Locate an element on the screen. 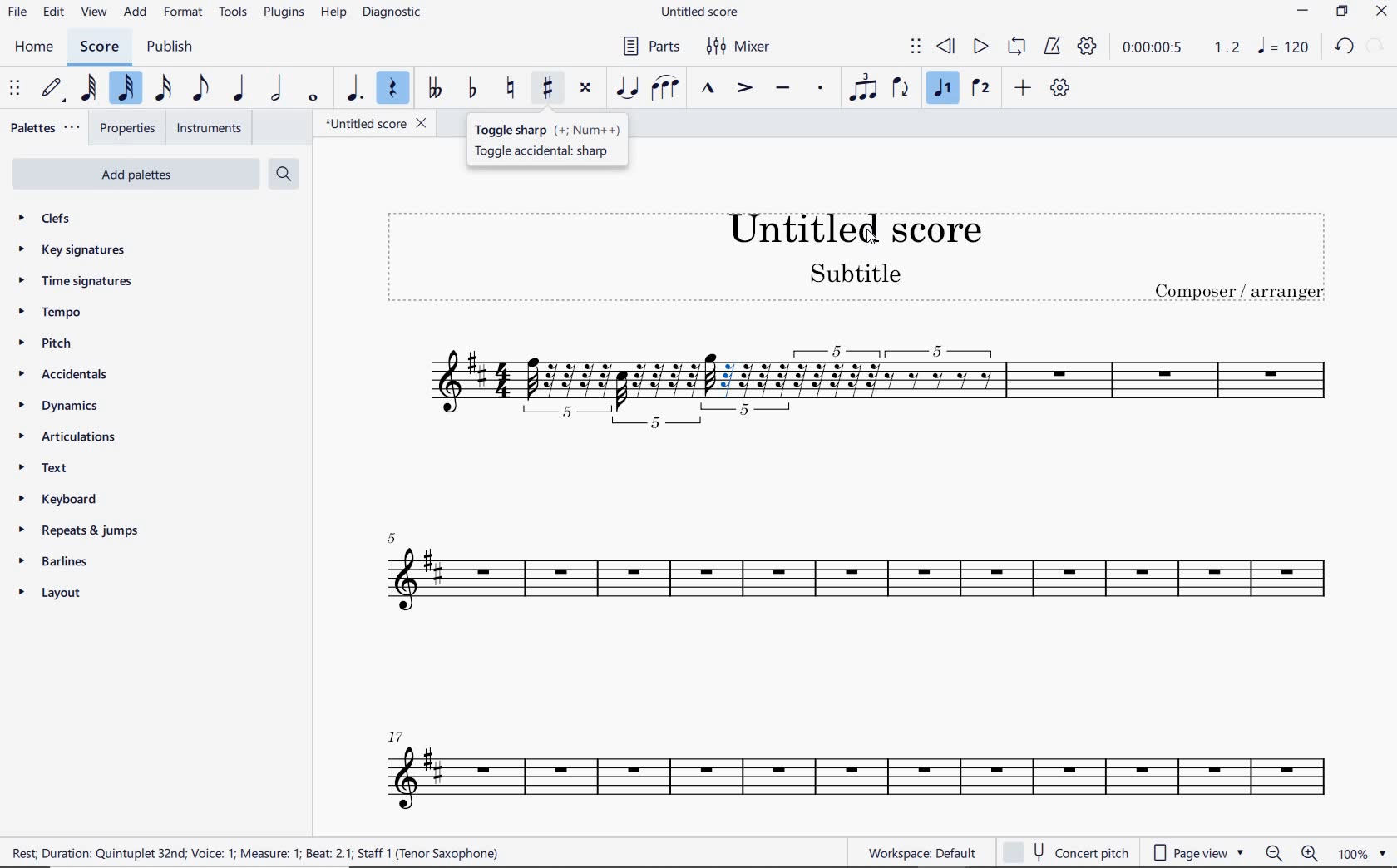  zoom in or zoom out is located at coordinates (1291, 854).